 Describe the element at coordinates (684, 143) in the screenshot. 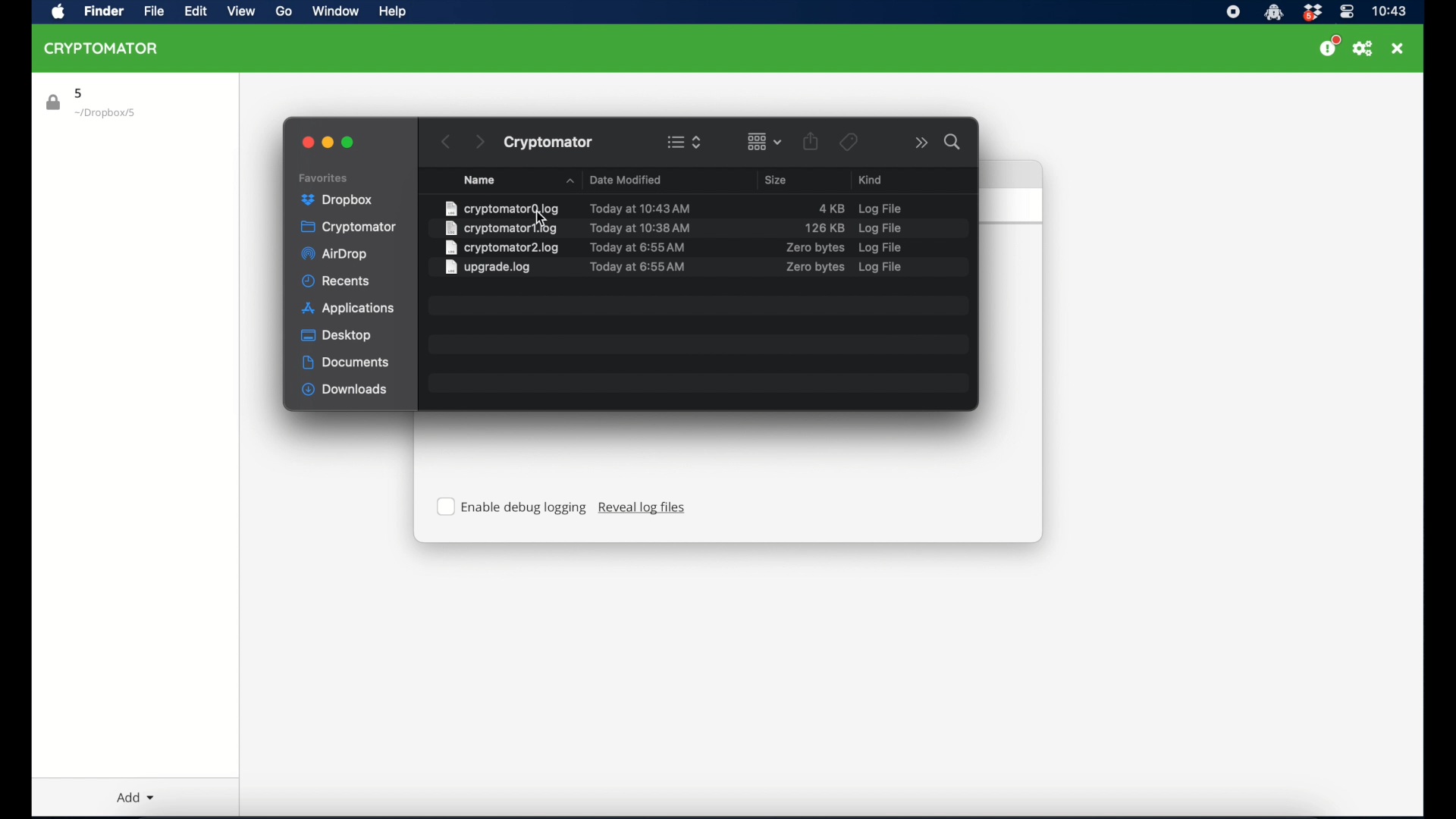

I see `view options` at that location.